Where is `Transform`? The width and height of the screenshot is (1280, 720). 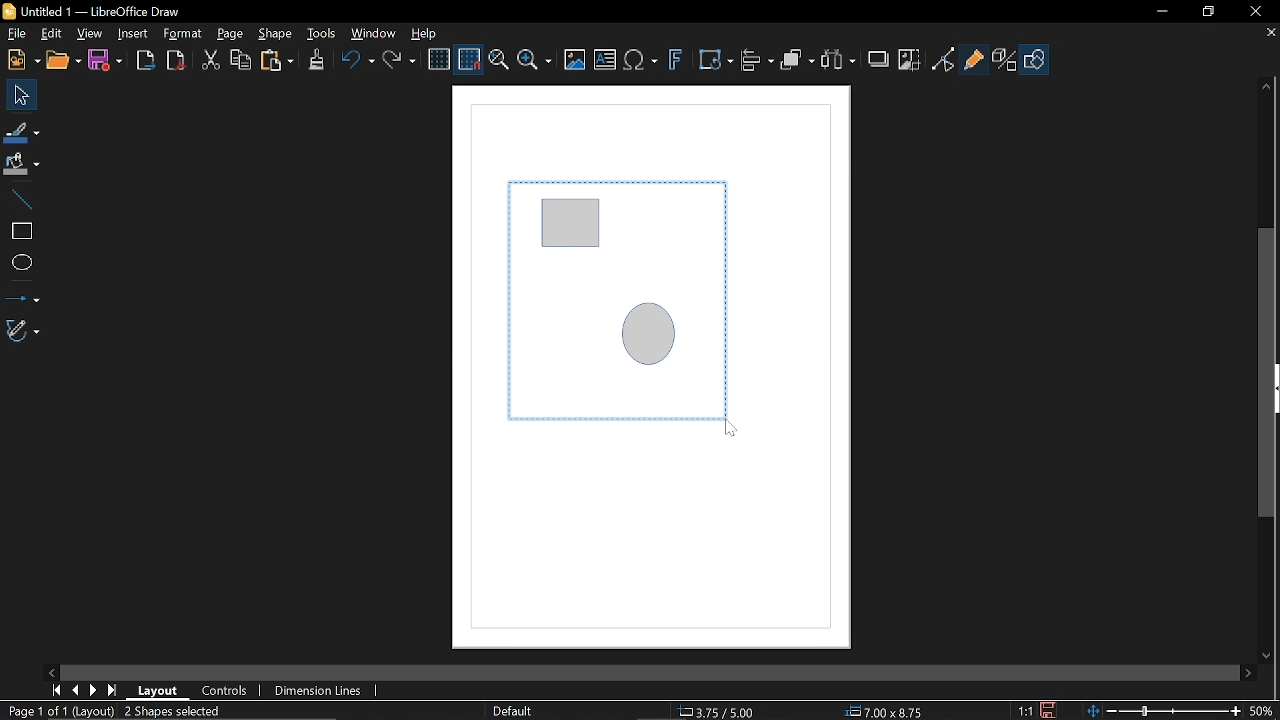
Transform is located at coordinates (715, 61).